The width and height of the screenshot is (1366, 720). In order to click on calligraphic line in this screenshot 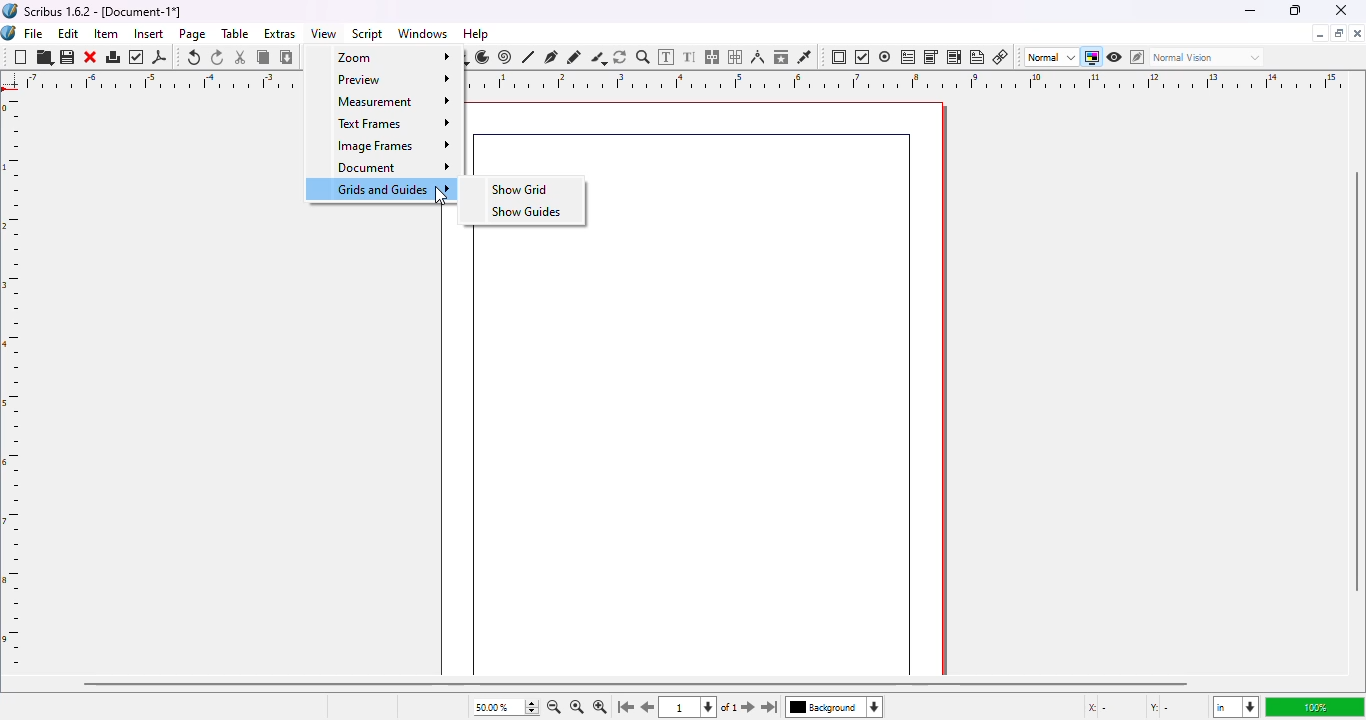, I will do `click(598, 58)`.